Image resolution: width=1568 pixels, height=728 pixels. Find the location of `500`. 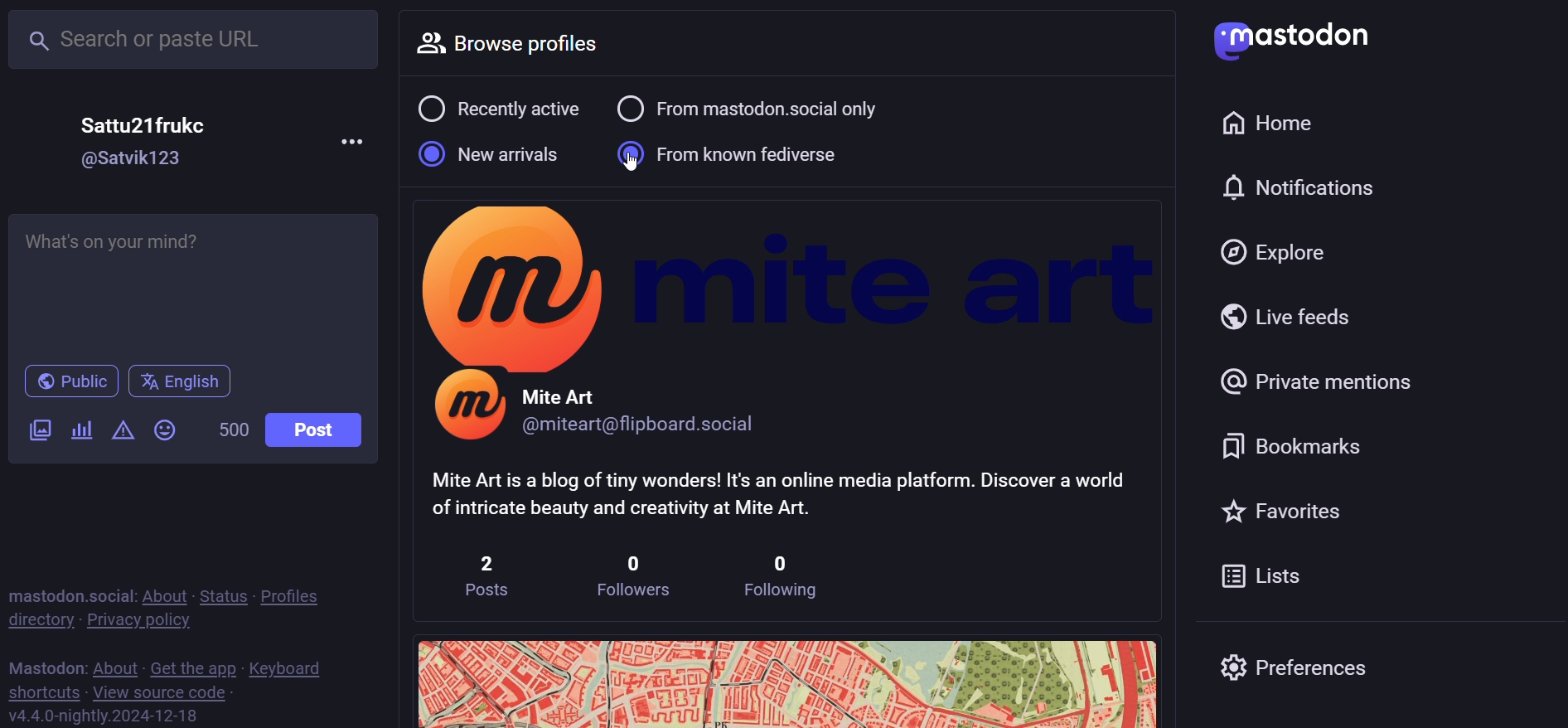

500 is located at coordinates (232, 429).